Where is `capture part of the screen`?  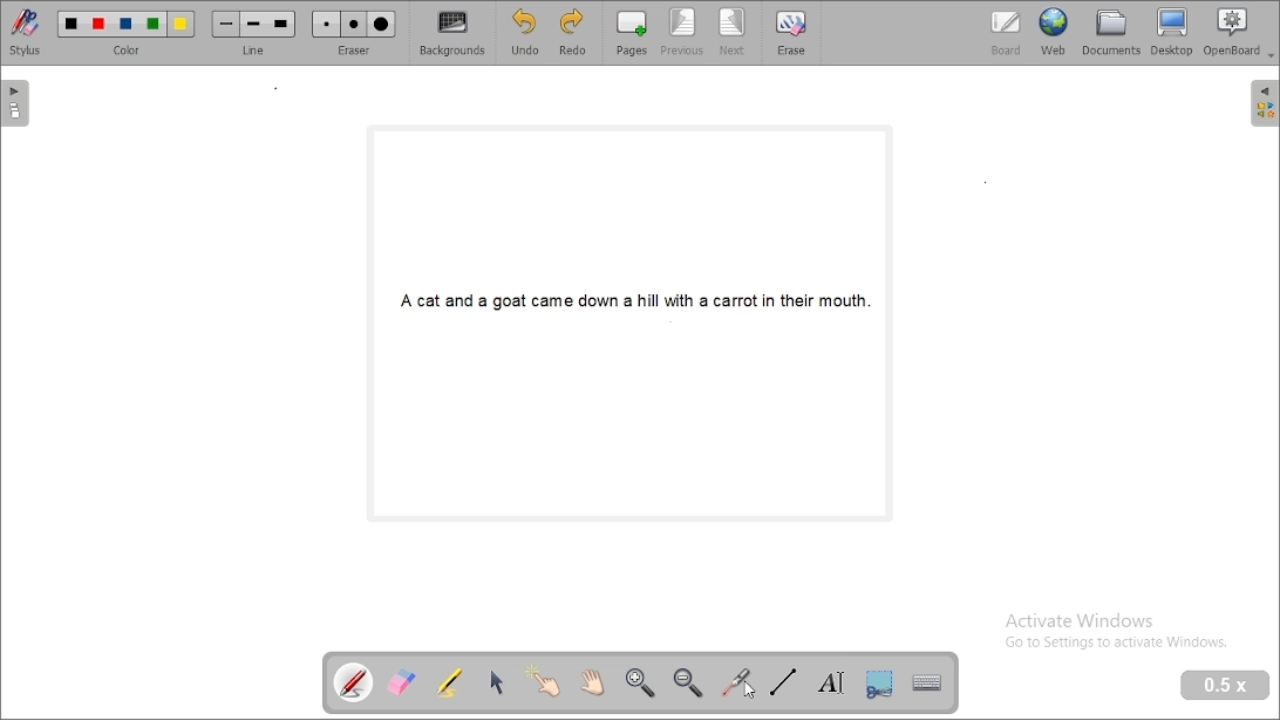
capture part of the screen is located at coordinates (880, 683).